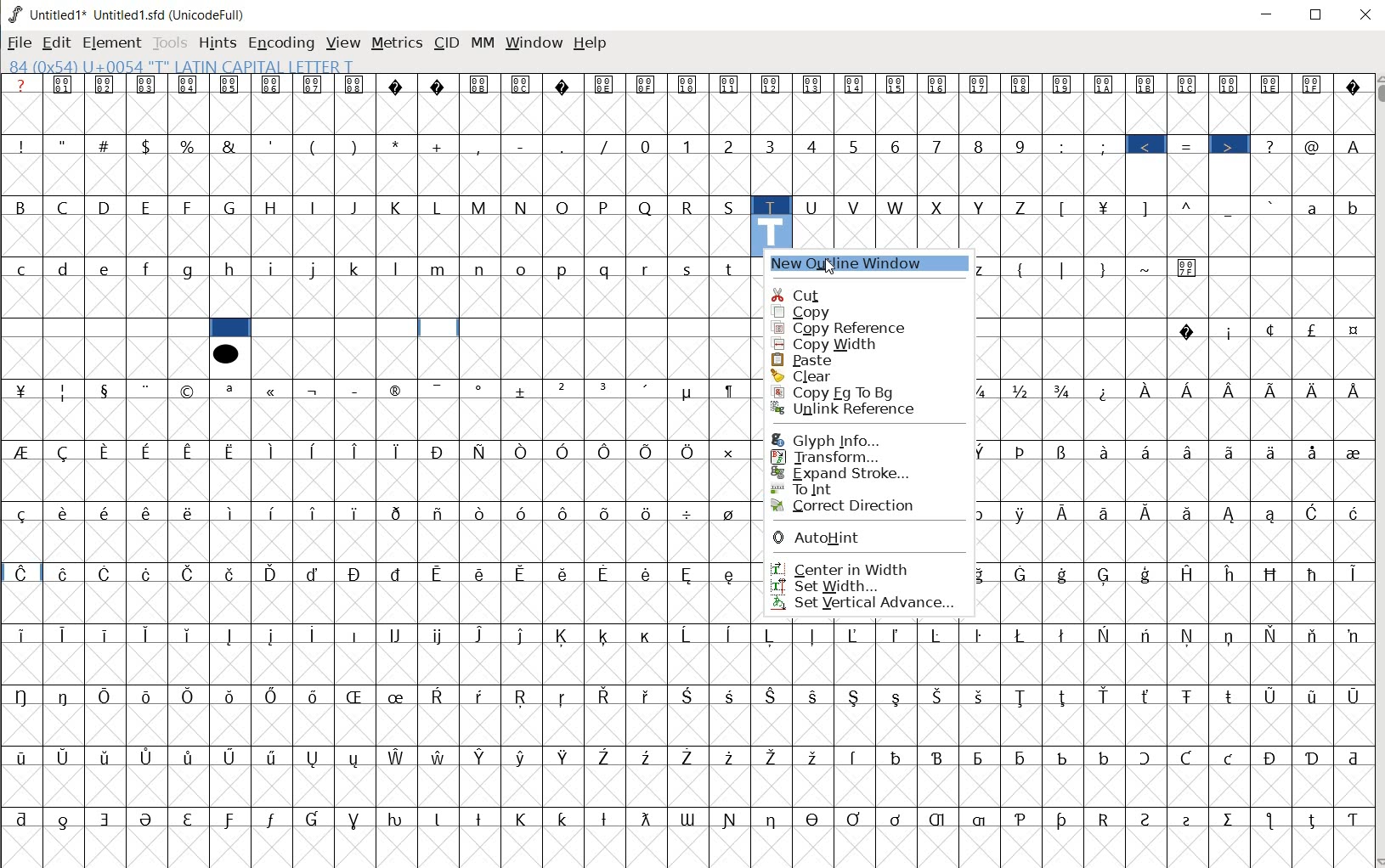 Image resolution: width=1385 pixels, height=868 pixels. I want to click on B, so click(22, 208).